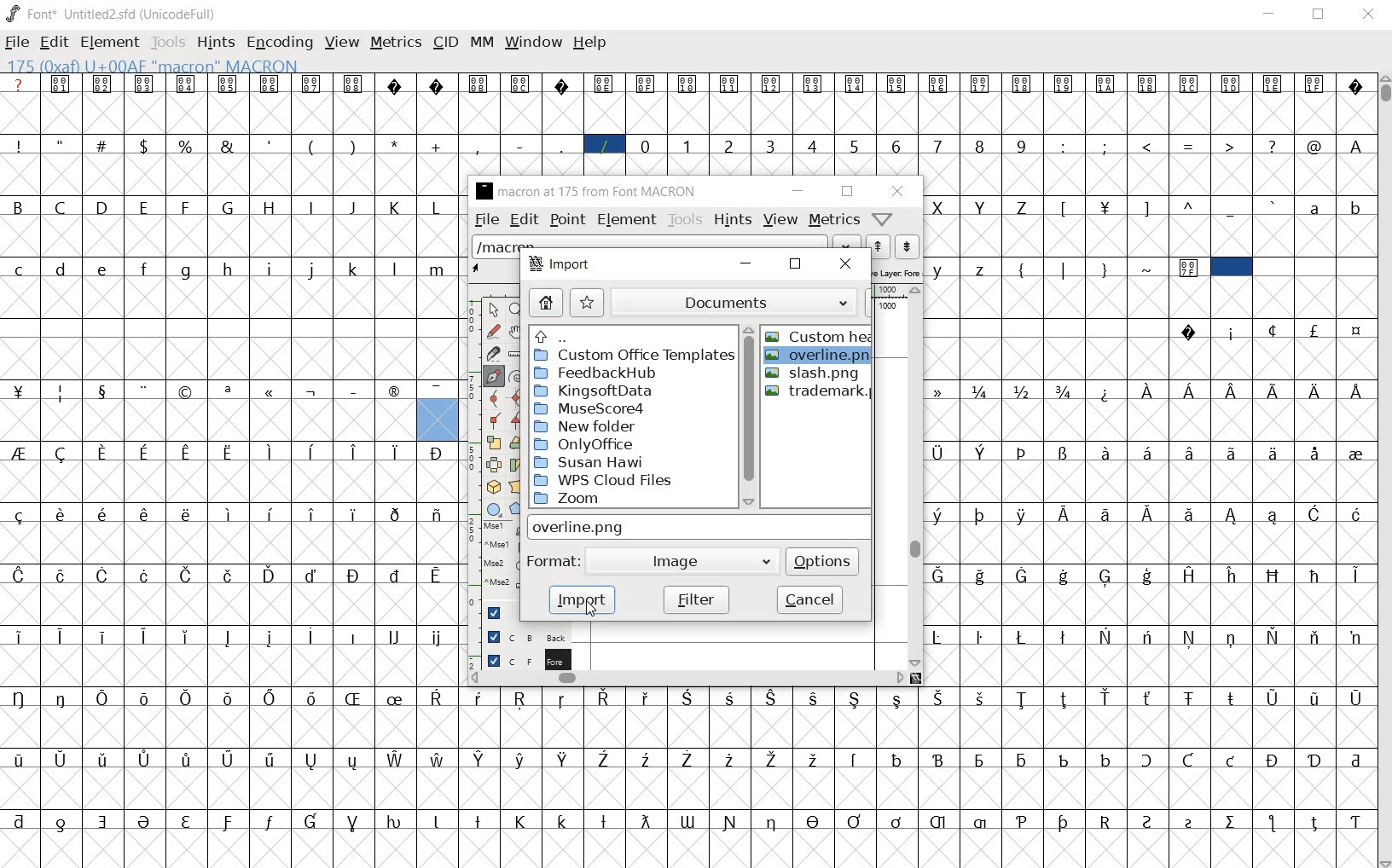 Image resolution: width=1392 pixels, height=868 pixels. Describe the element at coordinates (514, 466) in the screenshot. I see `skew` at that location.